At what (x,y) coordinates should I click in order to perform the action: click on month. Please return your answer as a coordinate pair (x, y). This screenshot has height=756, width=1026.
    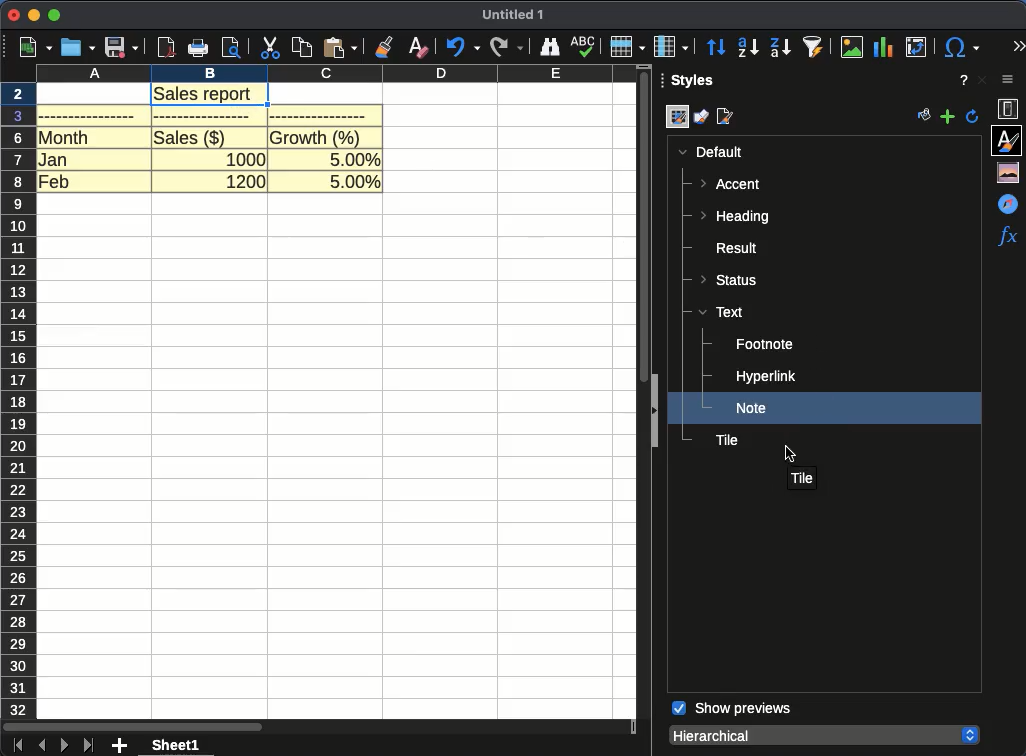
    Looking at the image, I should click on (65, 137).